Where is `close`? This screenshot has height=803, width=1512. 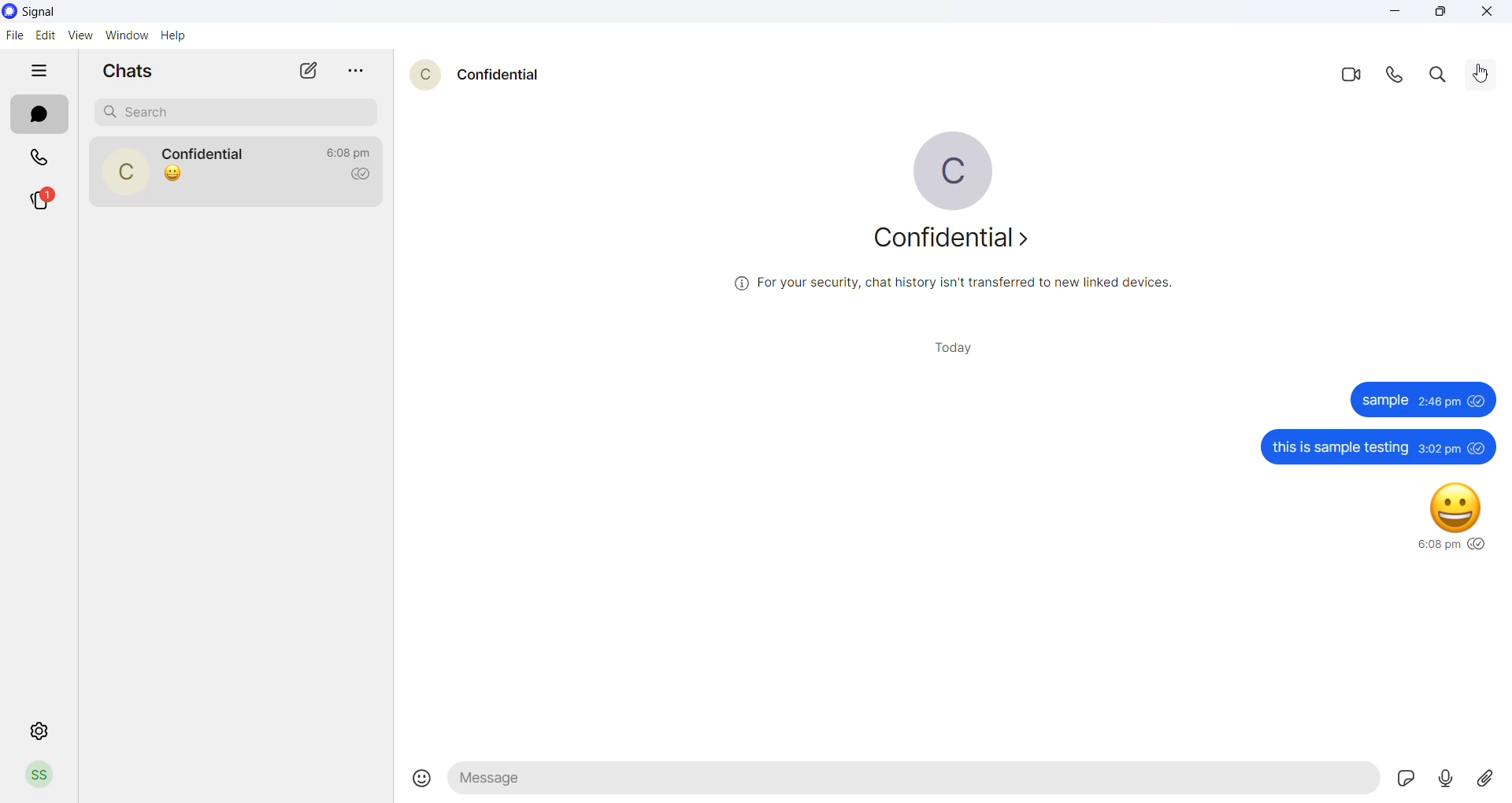 close is located at coordinates (1488, 9).